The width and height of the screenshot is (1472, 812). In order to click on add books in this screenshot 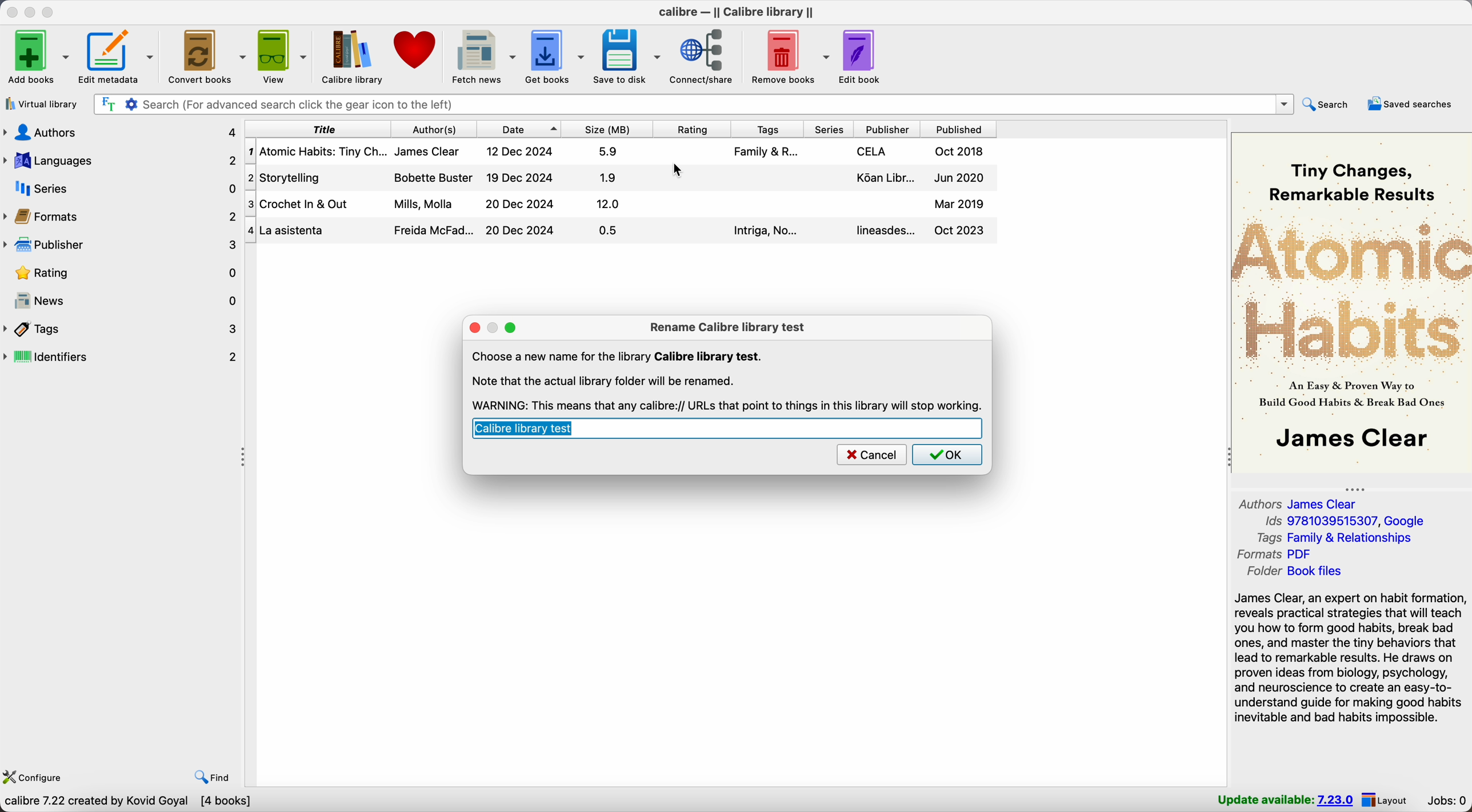, I will do `click(39, 57)`.